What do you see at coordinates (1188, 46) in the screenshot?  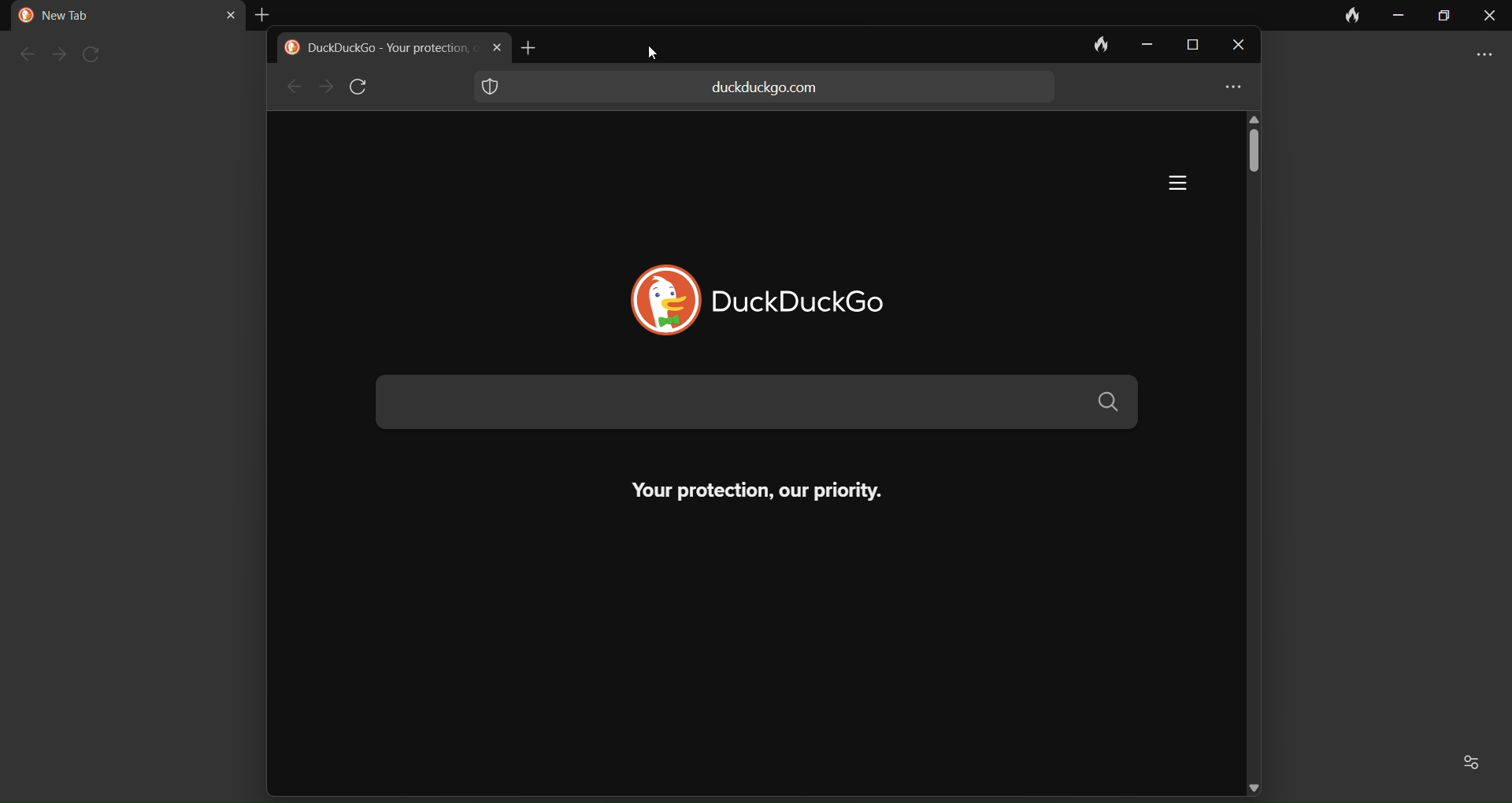 I see `maximize` at bounding box center [1188, 46].